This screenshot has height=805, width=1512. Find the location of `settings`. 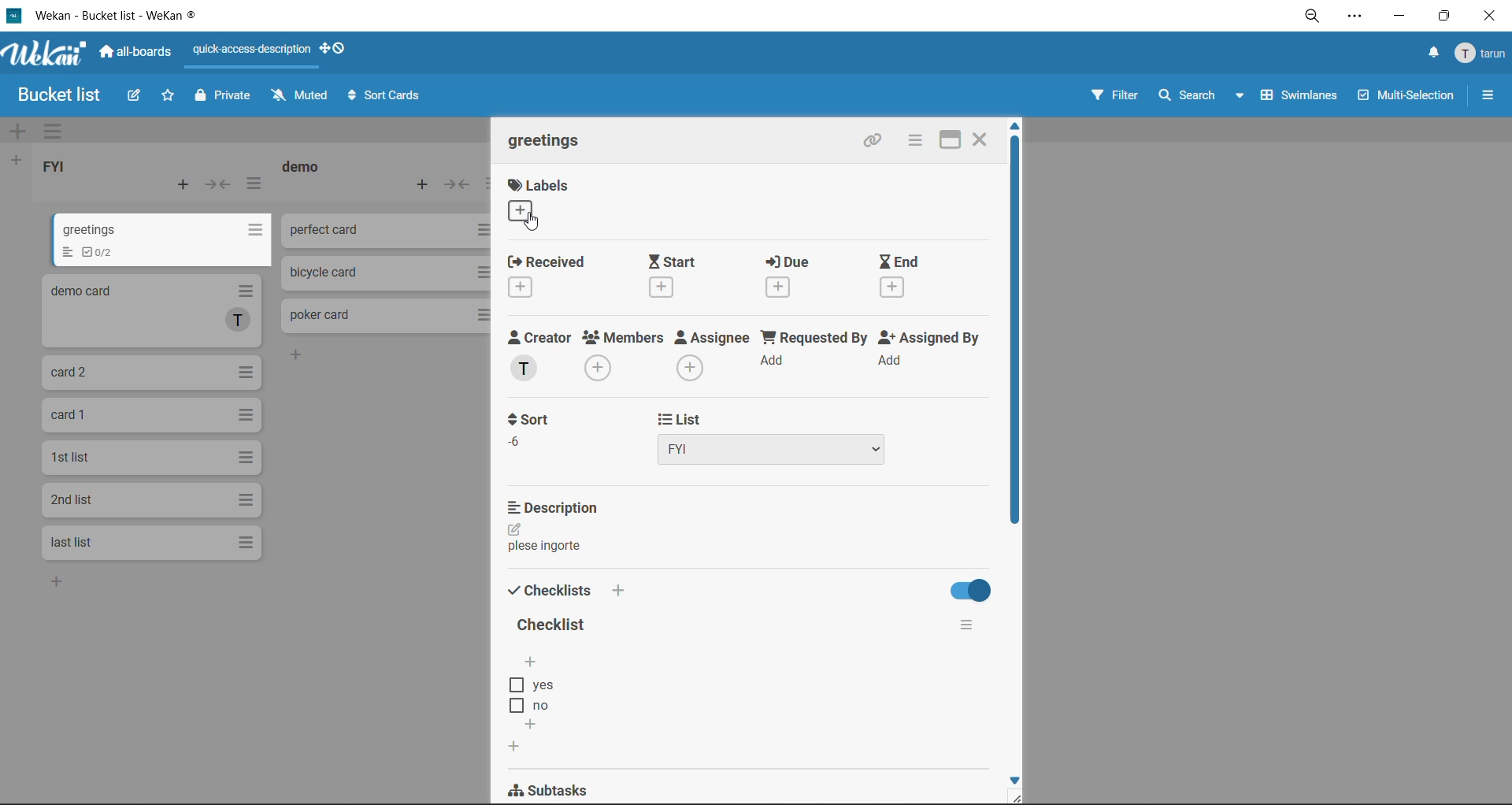

settings is located at coordinates (1358, 18).